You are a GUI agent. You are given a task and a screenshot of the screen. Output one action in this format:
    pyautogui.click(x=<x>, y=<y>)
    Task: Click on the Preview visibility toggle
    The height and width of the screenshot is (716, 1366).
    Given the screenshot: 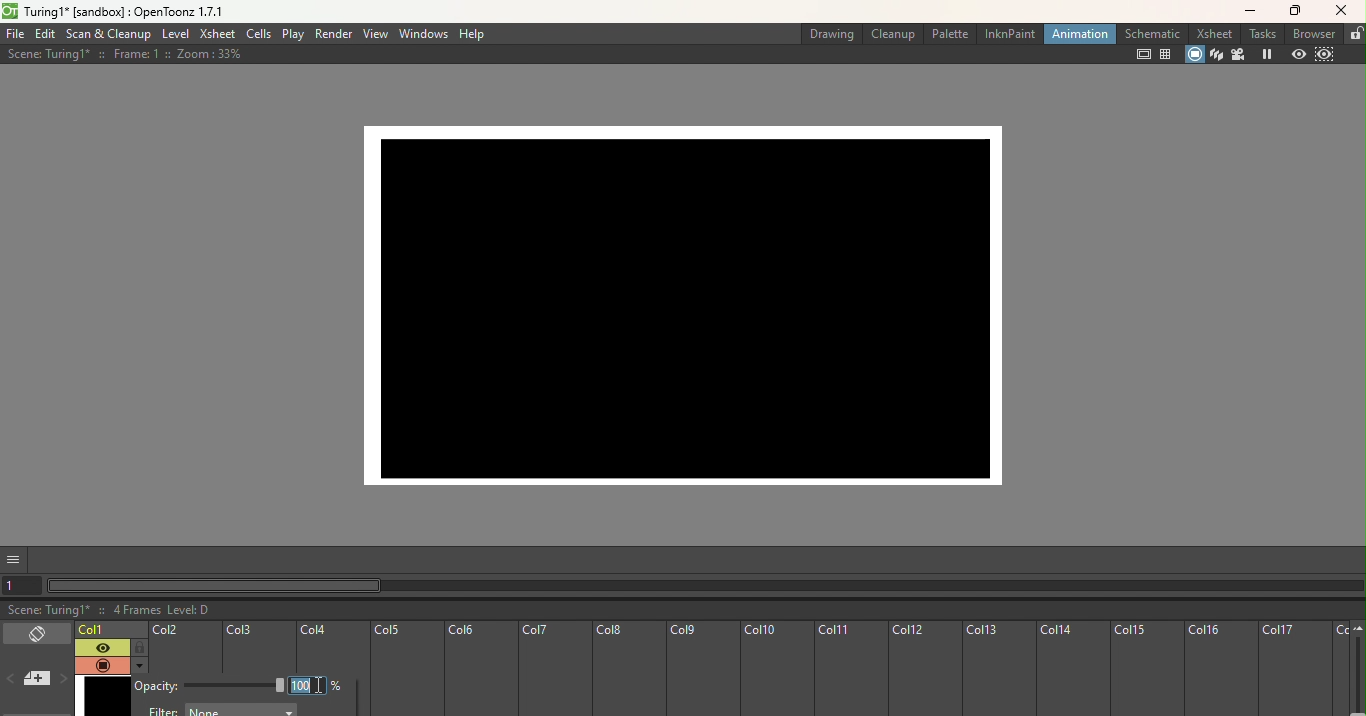 What is the action you would take?
    pyautogui.click(x=100, y=647)
    